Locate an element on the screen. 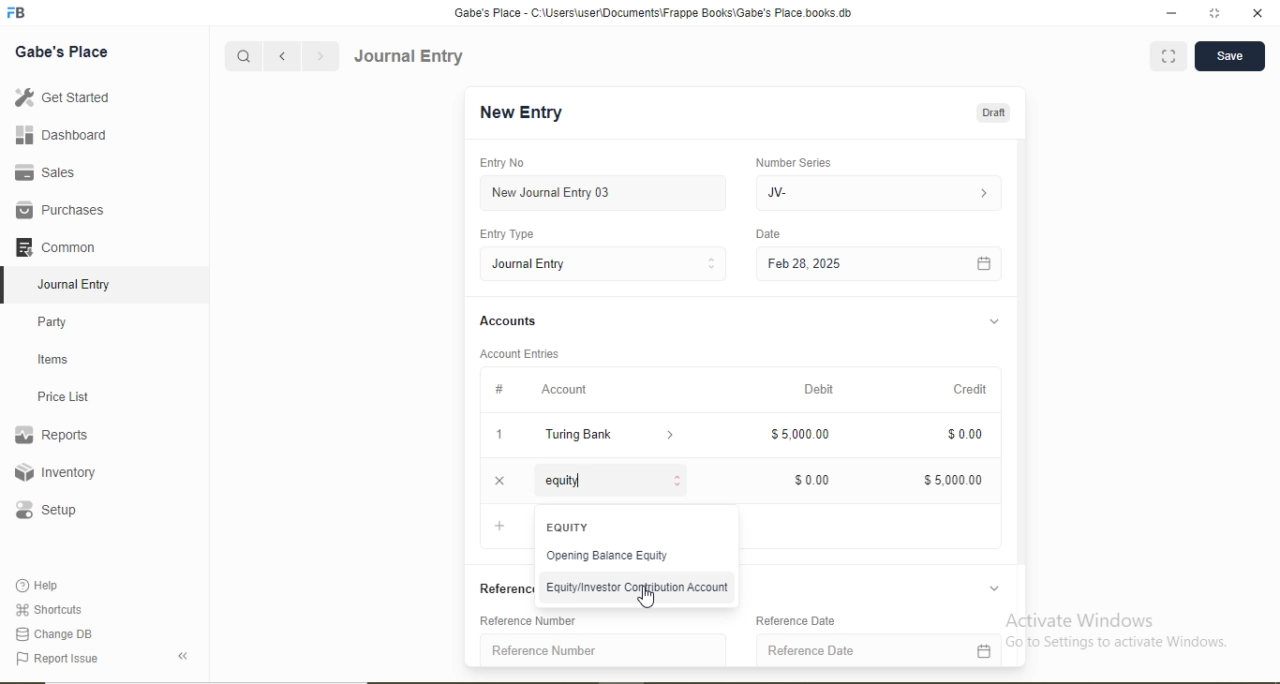  Get Started is located at coordinates (61, 96).